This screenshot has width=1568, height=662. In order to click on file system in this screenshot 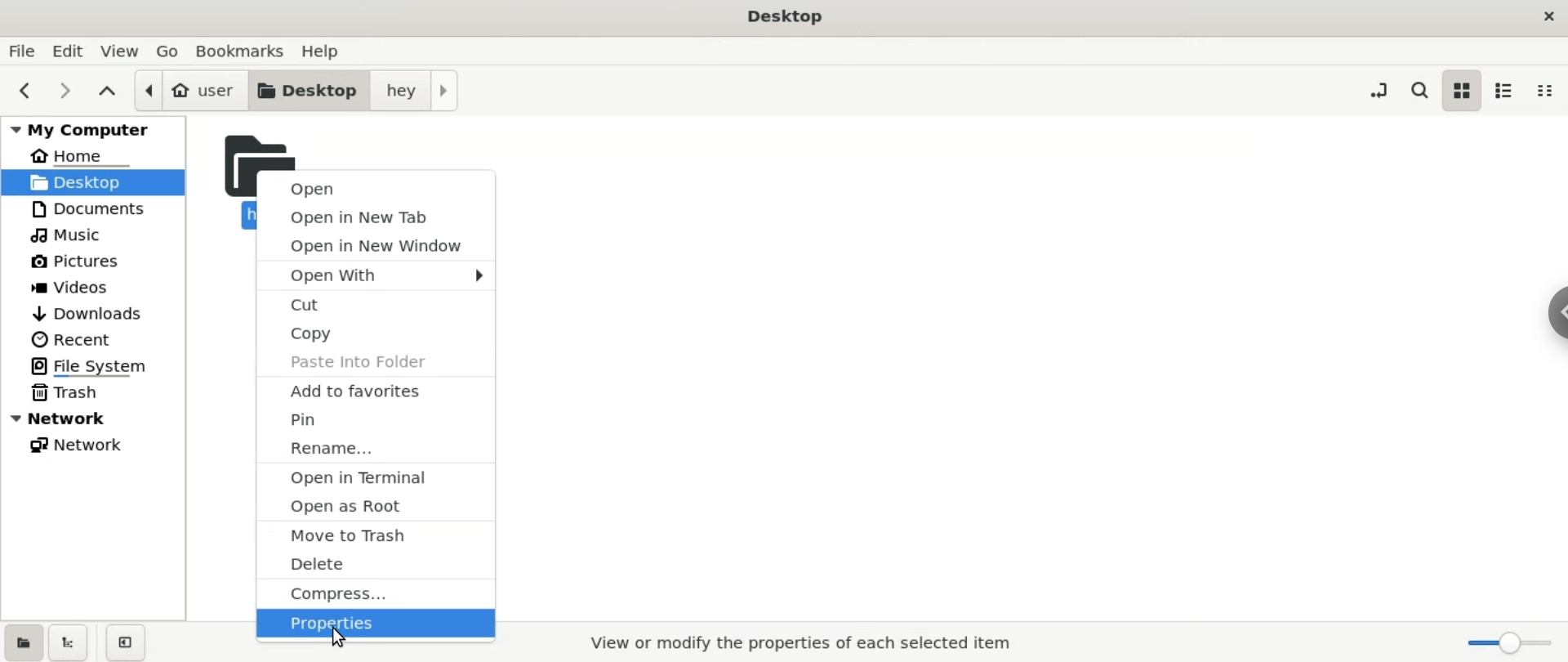, I will do `click(93, 365)`.